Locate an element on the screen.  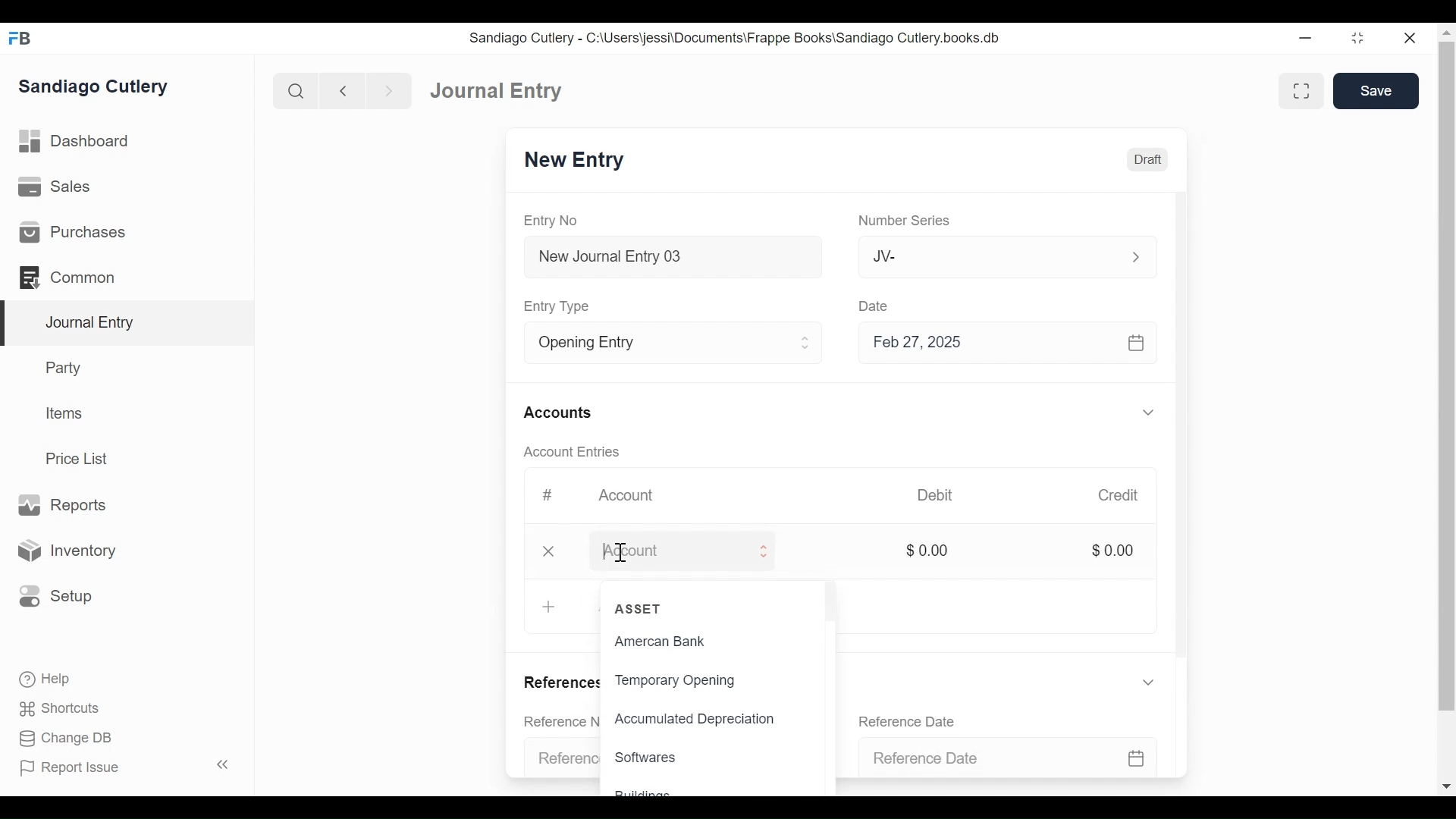
Purchases is located at coordinates (75, 232).